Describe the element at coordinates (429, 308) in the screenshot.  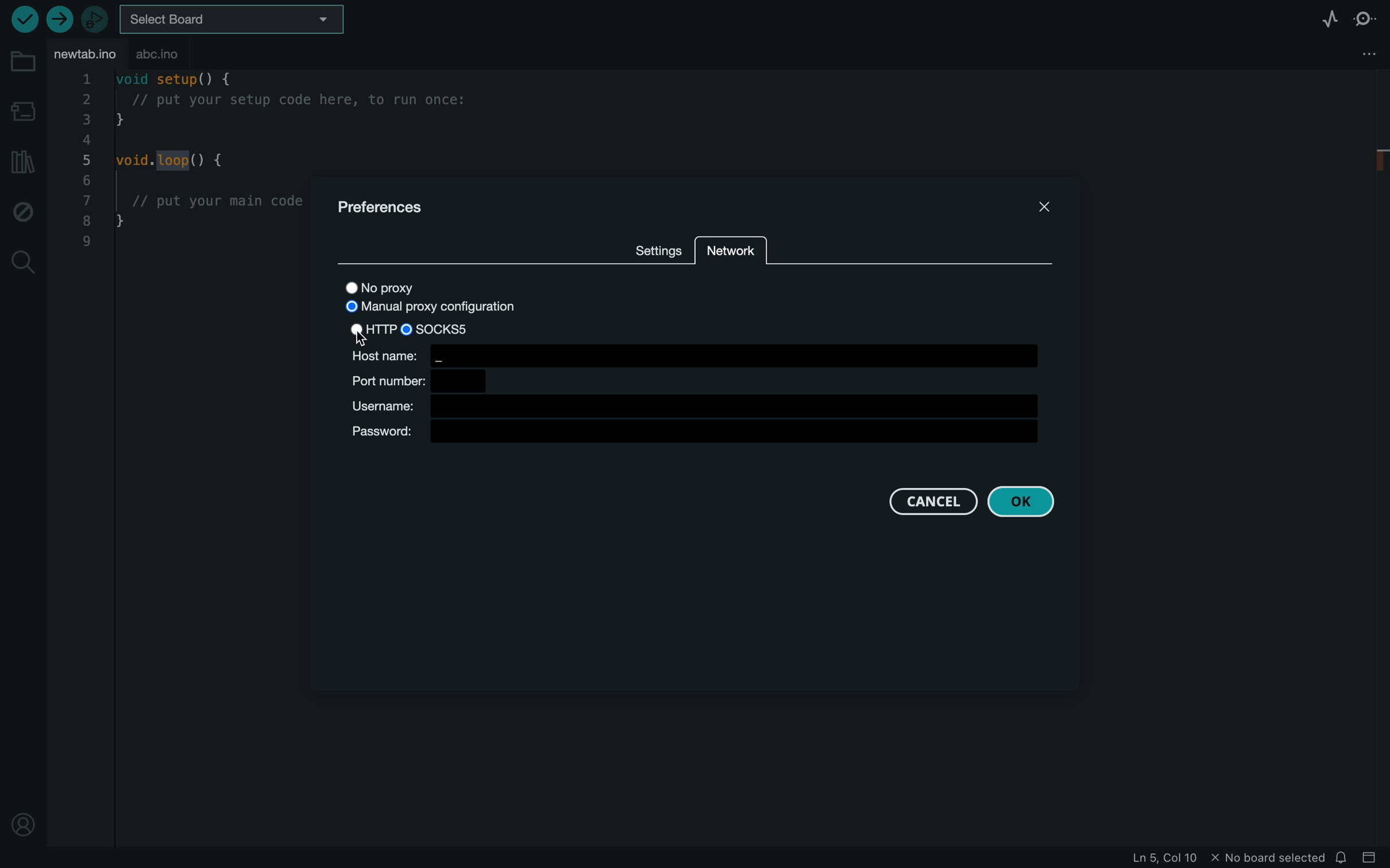
I see `mutual proxy` at that location.